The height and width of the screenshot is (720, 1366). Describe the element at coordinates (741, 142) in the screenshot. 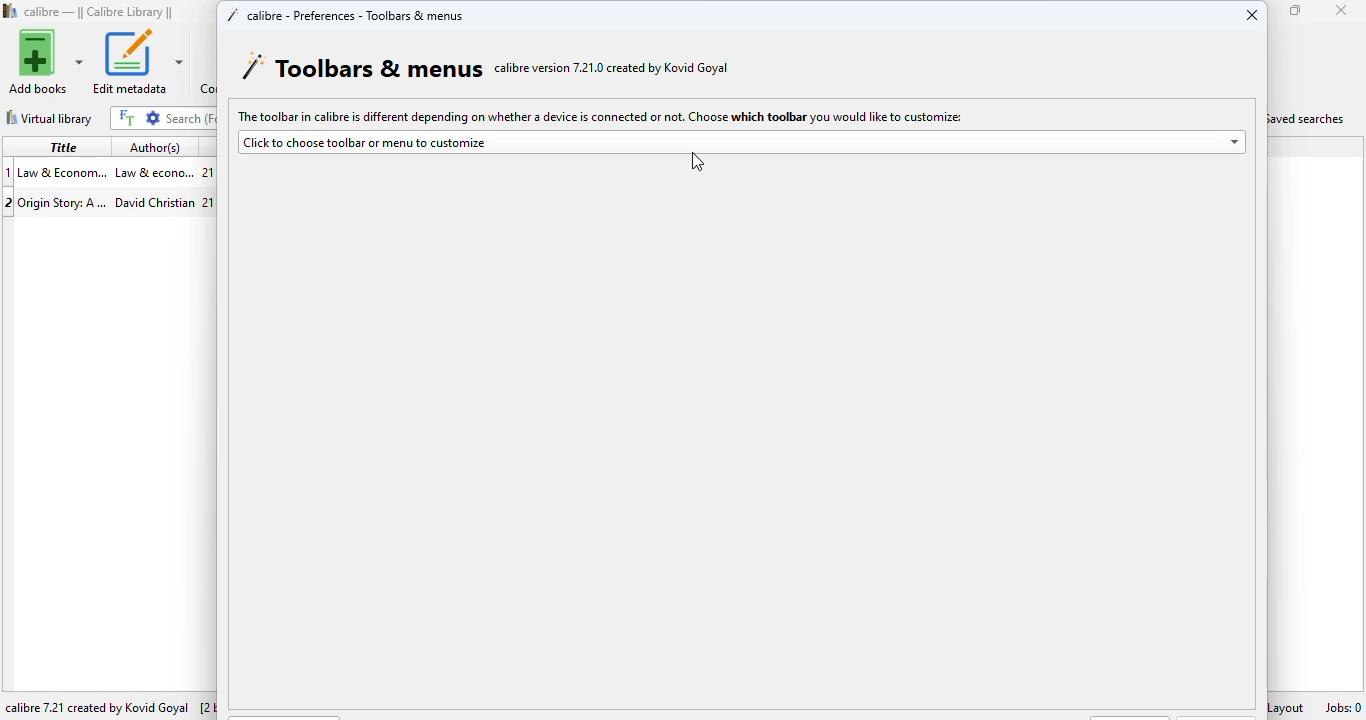

I see `click to choose toolbar or menu to customize` at that location.